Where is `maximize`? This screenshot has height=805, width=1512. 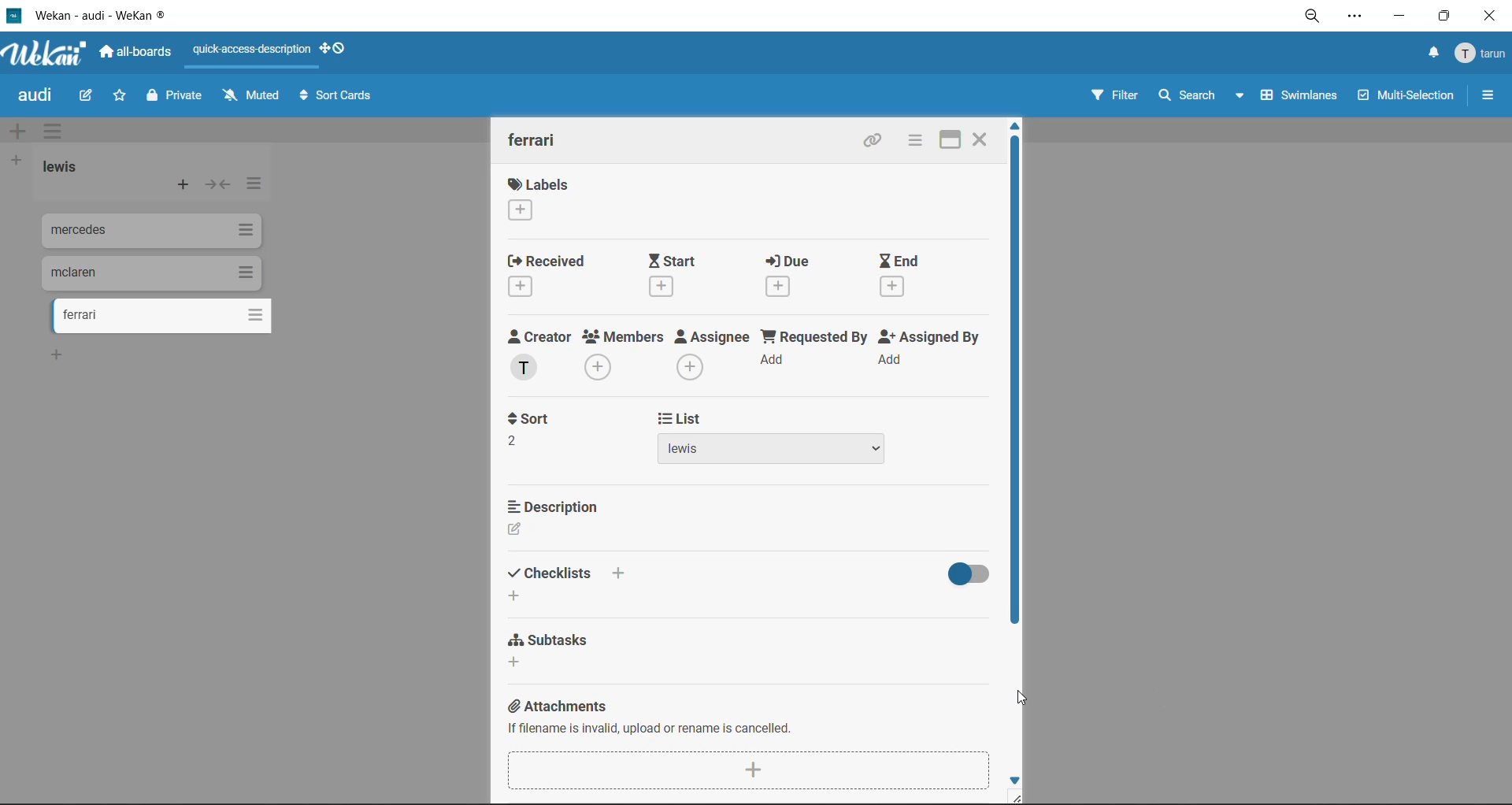 maximize is located at coordinates (947, 142).